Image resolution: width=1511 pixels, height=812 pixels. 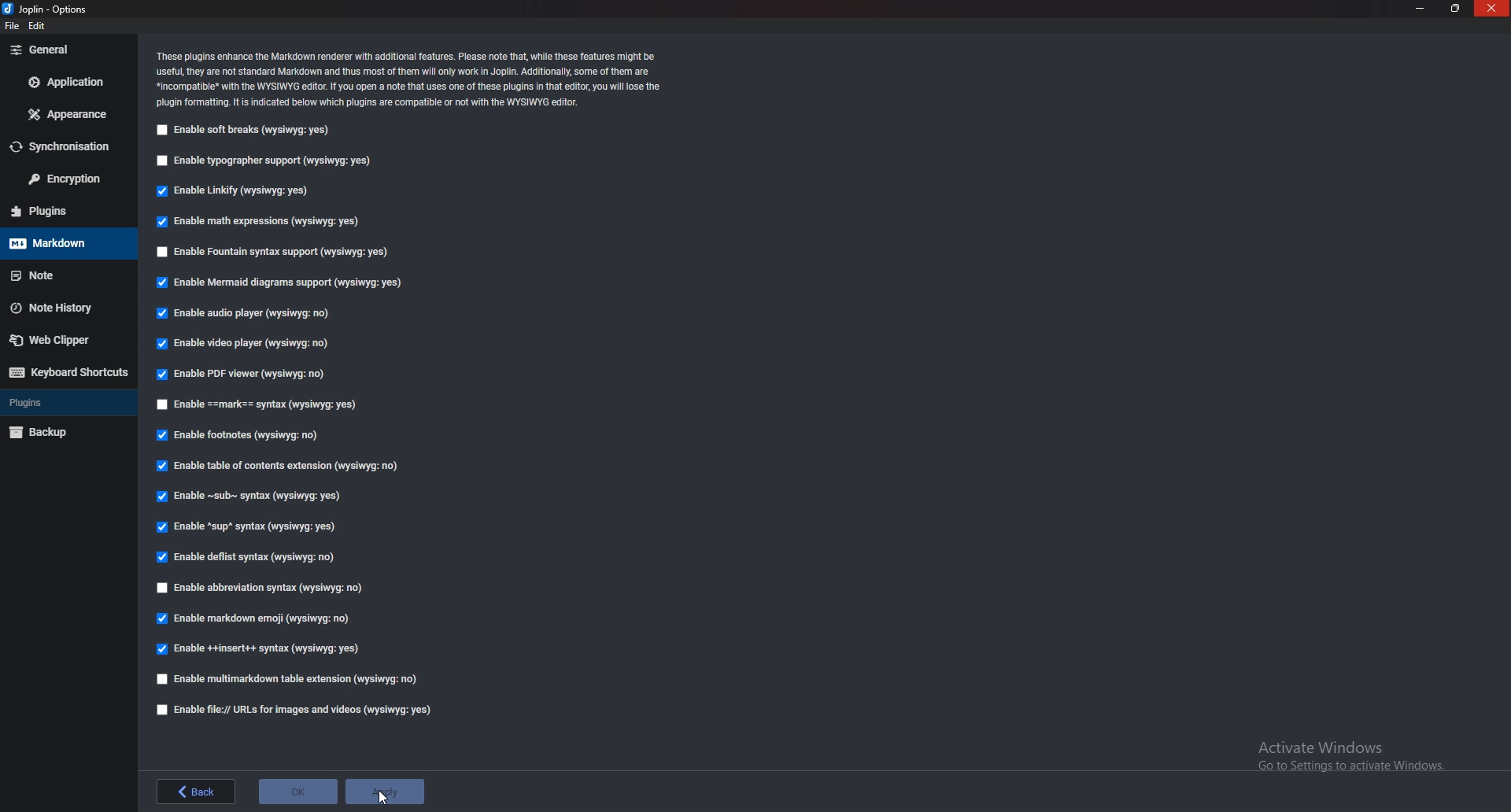 What do you see at coordinates (51, 434) in the screenshot?
I see `Back up` at bounding box center [51, 434].